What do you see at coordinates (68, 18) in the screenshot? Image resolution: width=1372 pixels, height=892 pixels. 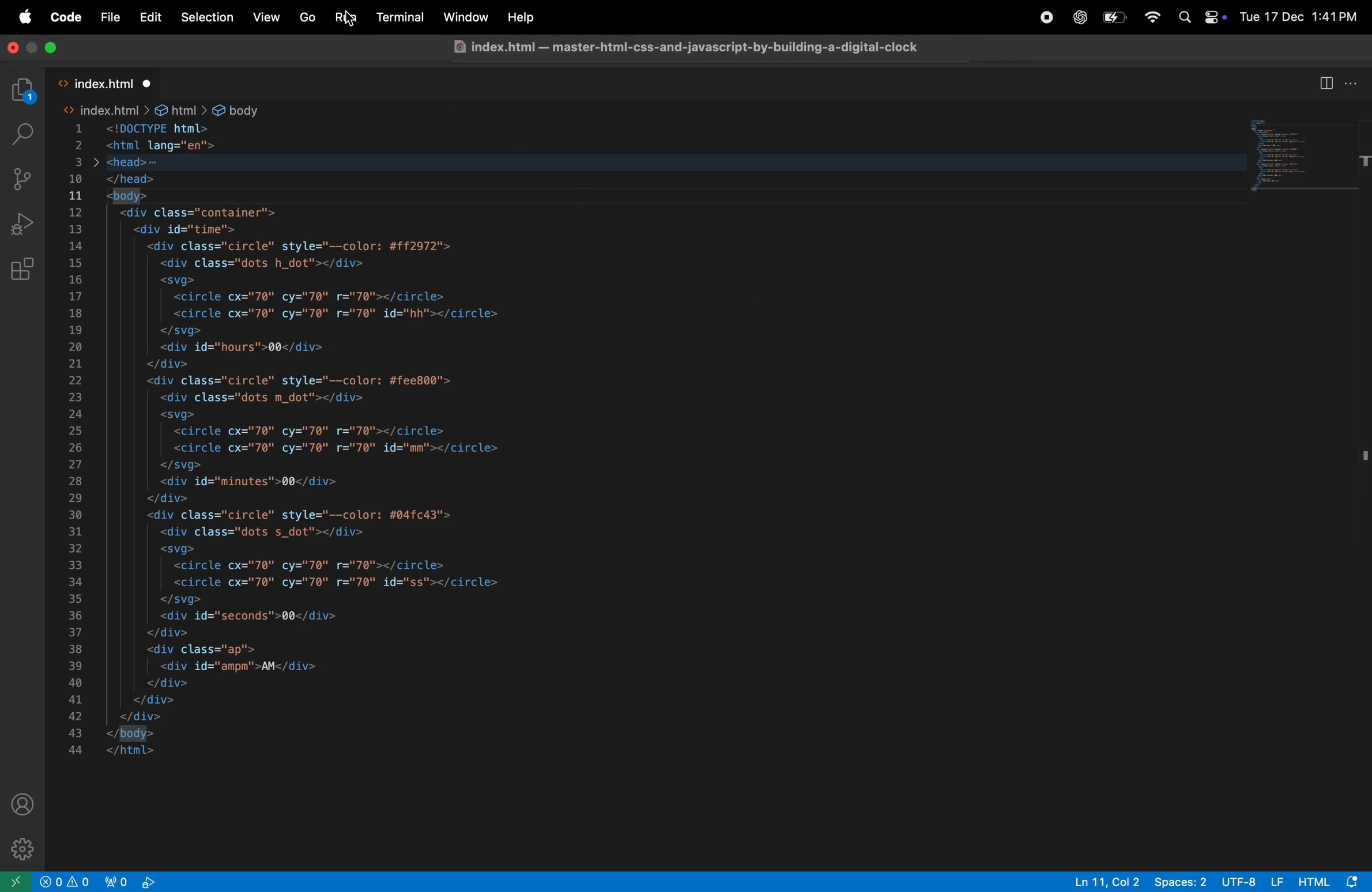 I see `Code` at bounding box center [68, 18].